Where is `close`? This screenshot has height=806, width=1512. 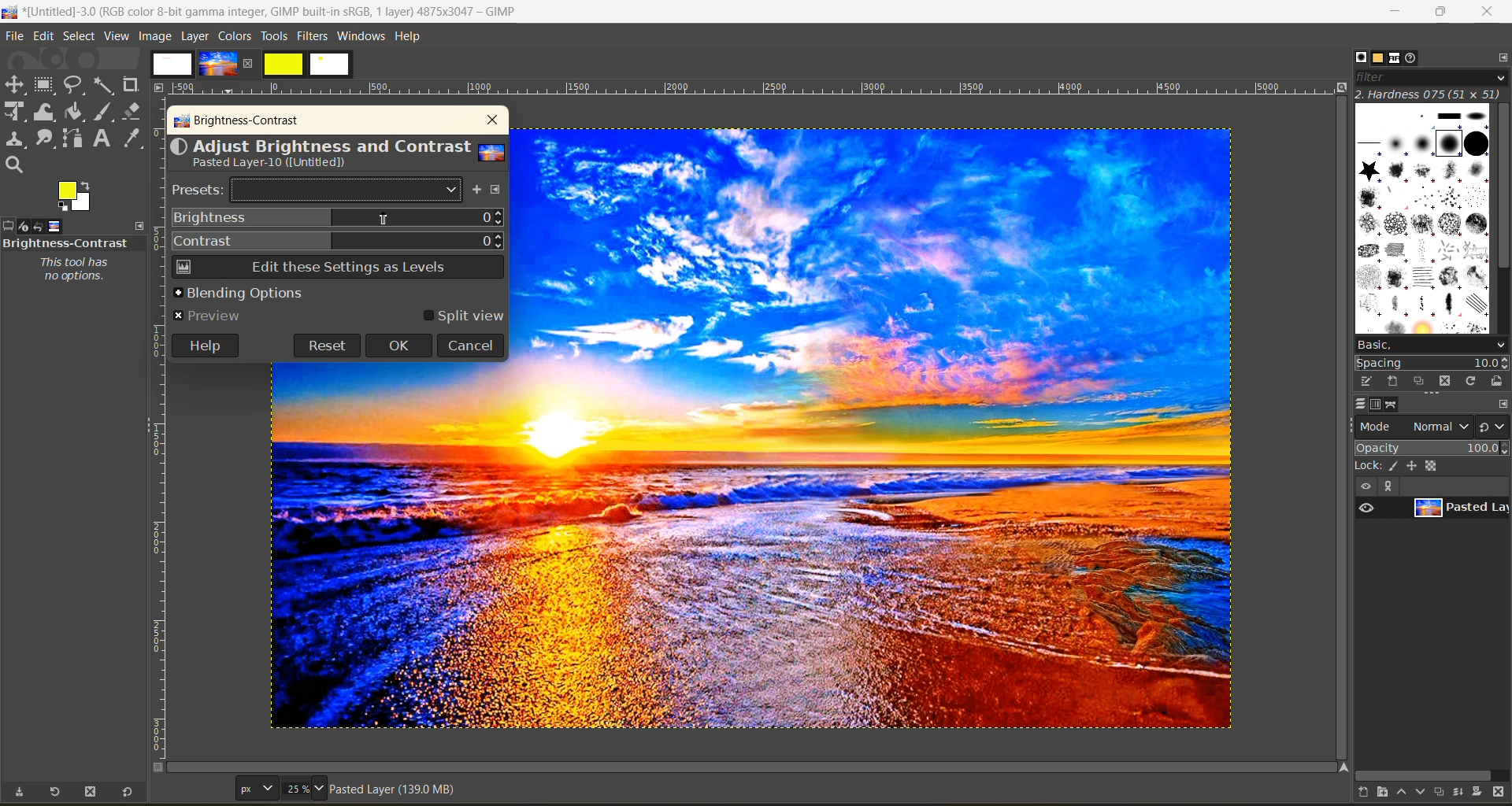
close is located at coordinates (1487, 13).